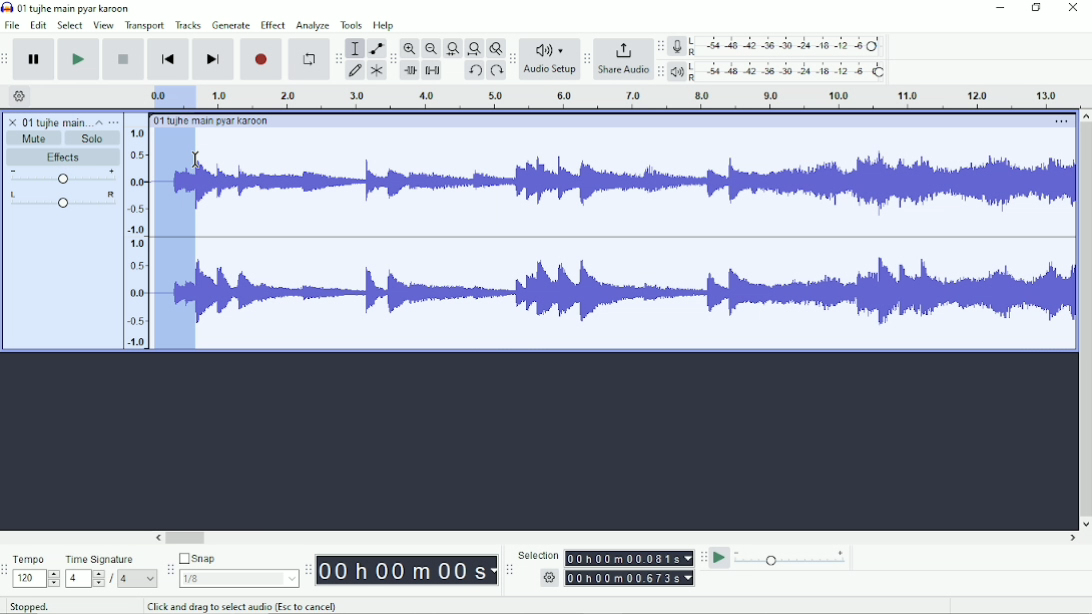 The height and width of the screenshot is (614, 1092). I want to click on Zoom In, so click(411, 48).